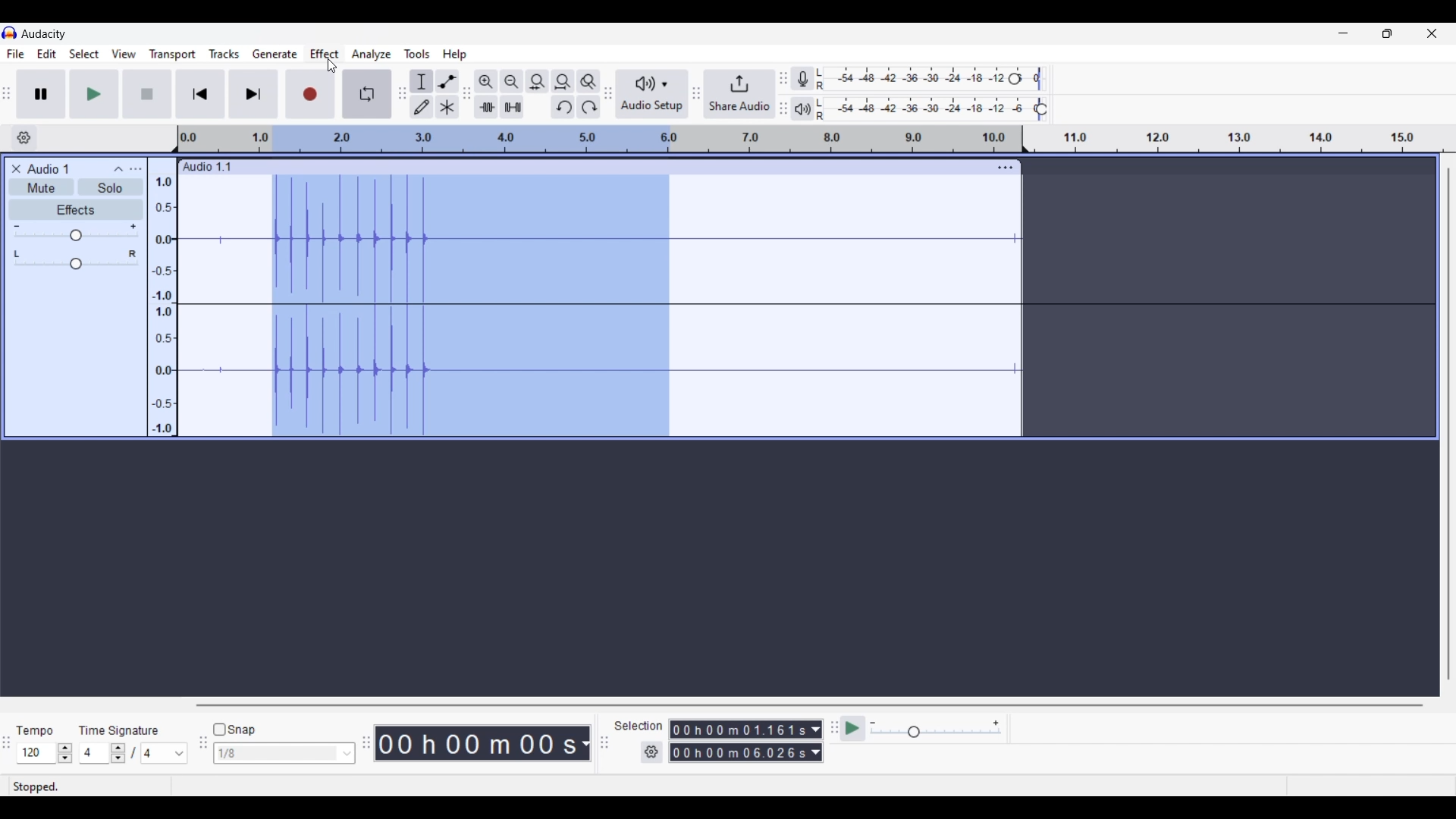 The width and height of the screenshot is (1456, 819). Describe the element at coordinates (417, 54) in the screenshot. I see `Tools menu` at that location.